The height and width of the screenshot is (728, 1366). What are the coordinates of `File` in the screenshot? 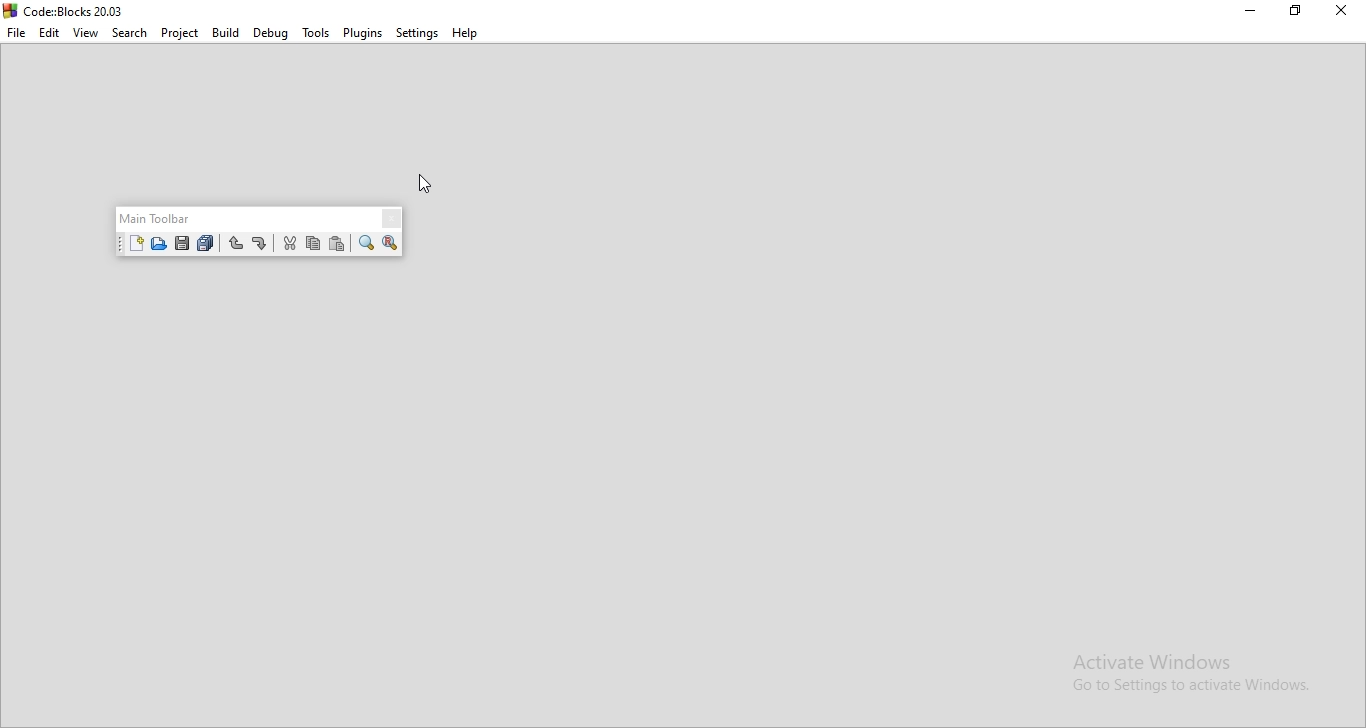 It's located at (16, 34).